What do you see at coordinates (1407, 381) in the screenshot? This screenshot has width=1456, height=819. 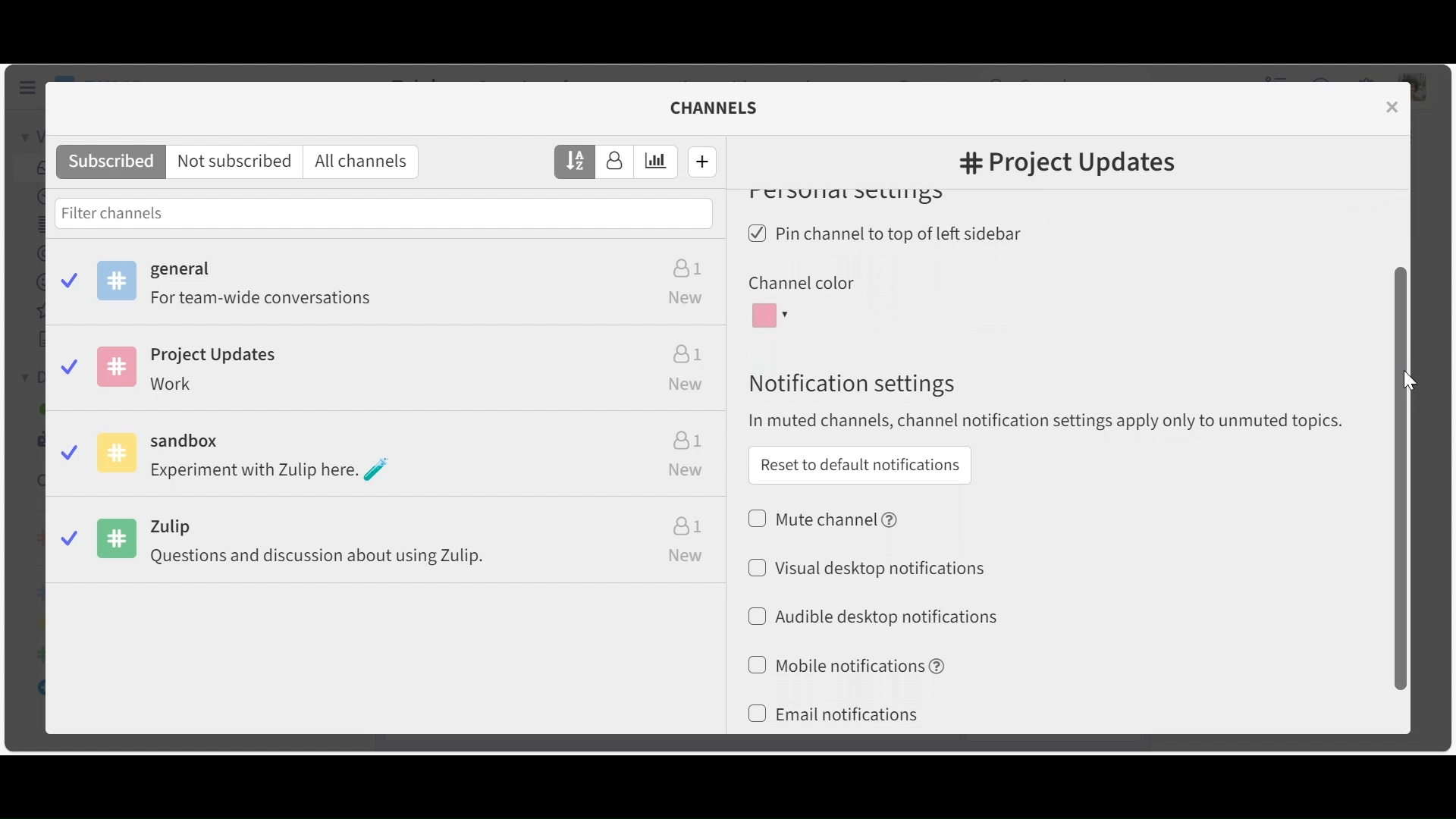 I see `Cursor` at bounding box center [1407, 381].